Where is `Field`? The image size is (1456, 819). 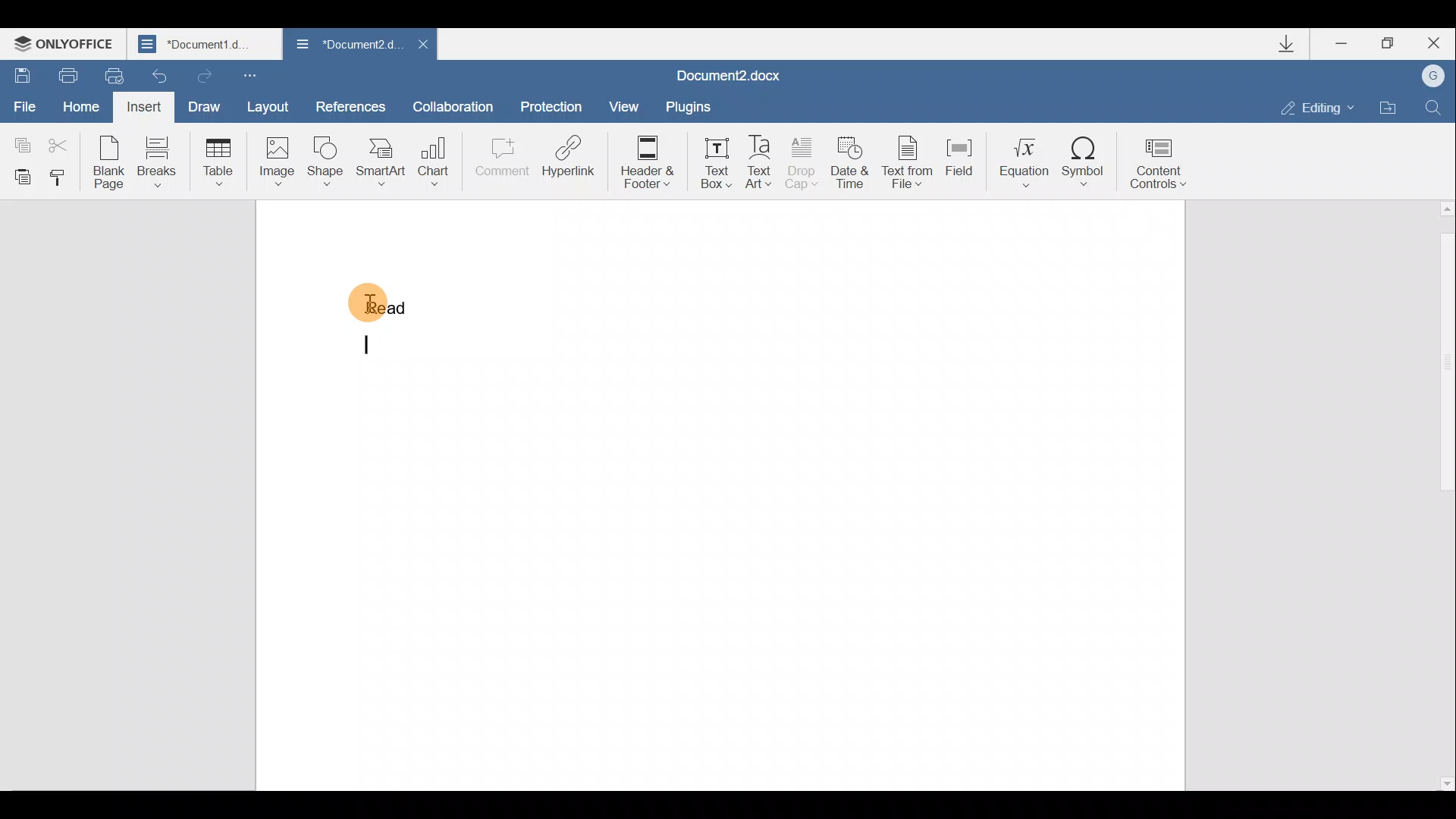
Field is located at coordinates (959, 163).